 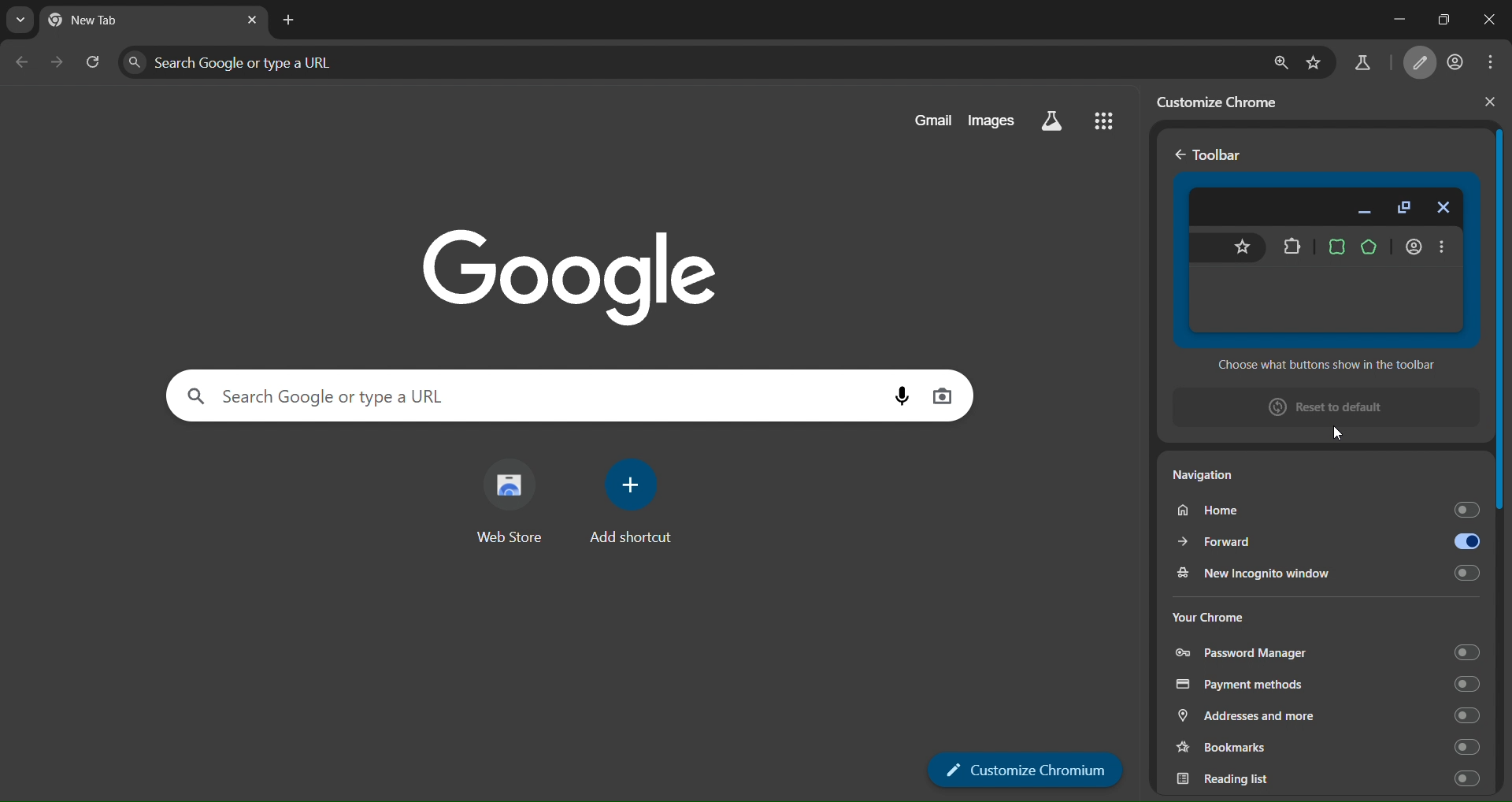 I want to click on images, so click(x=989, y=121).